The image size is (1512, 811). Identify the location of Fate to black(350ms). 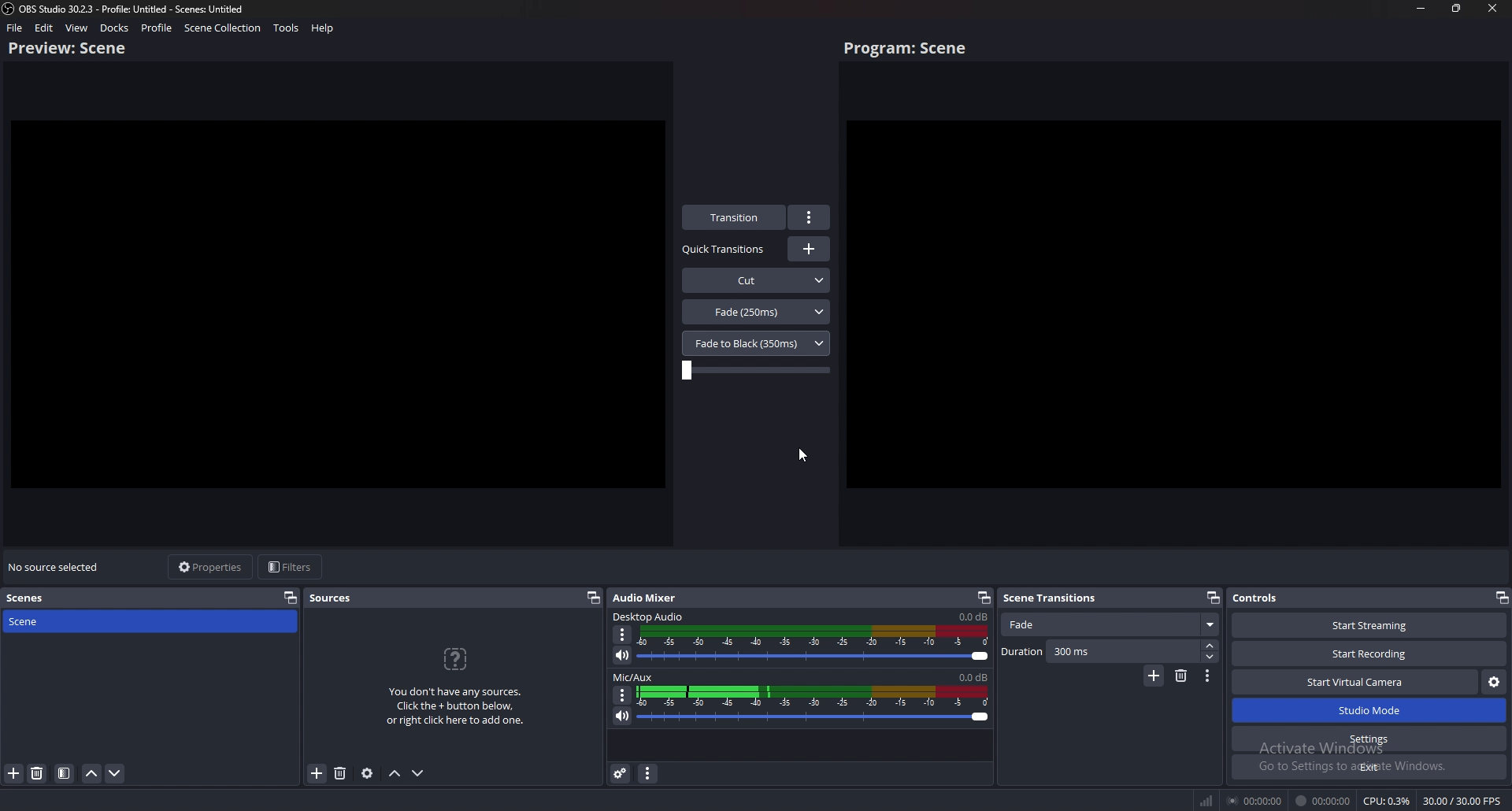
(762, 343).